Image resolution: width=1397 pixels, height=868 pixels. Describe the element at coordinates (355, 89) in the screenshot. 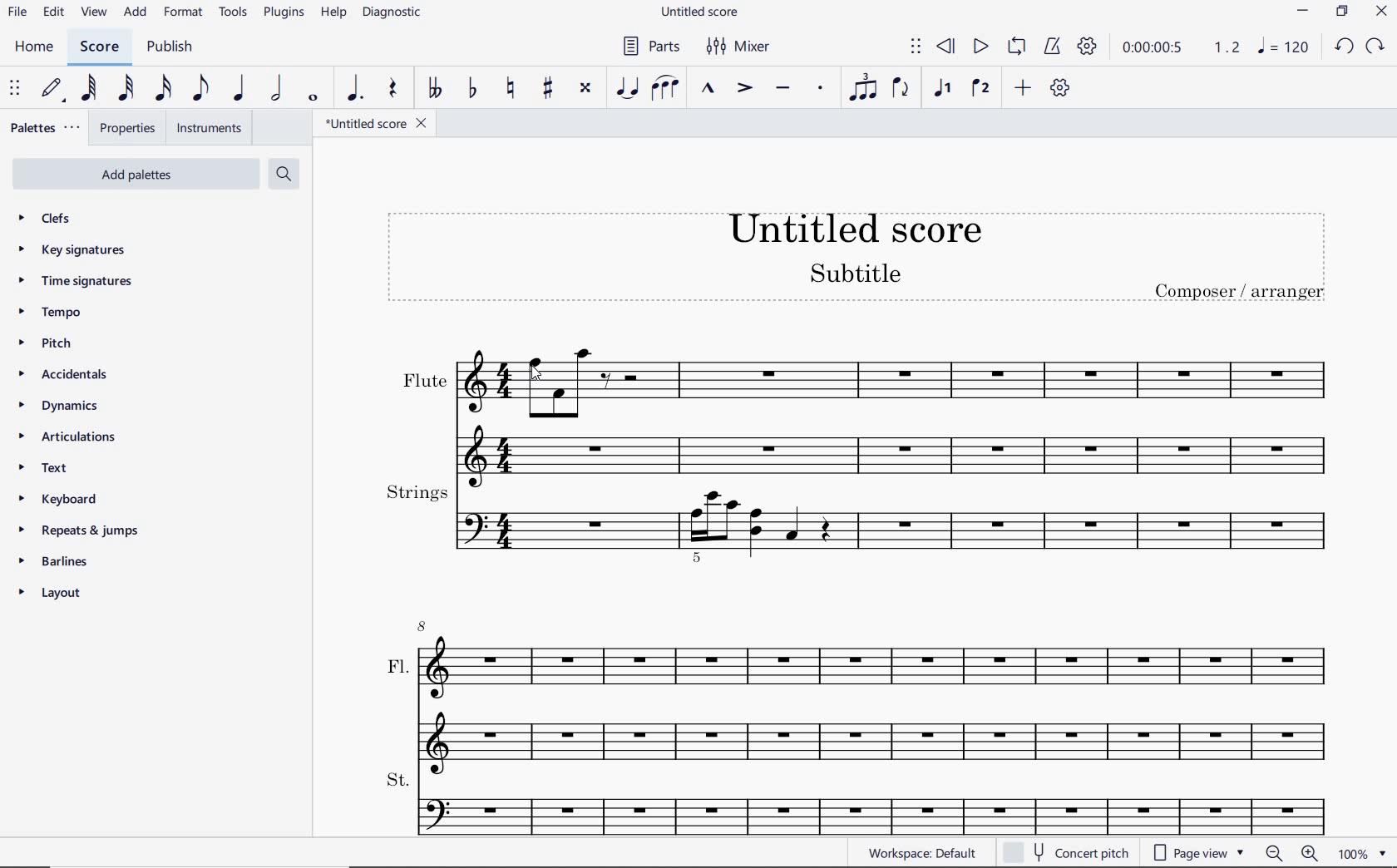

I see `AUGMENTATION DOT` at that location.